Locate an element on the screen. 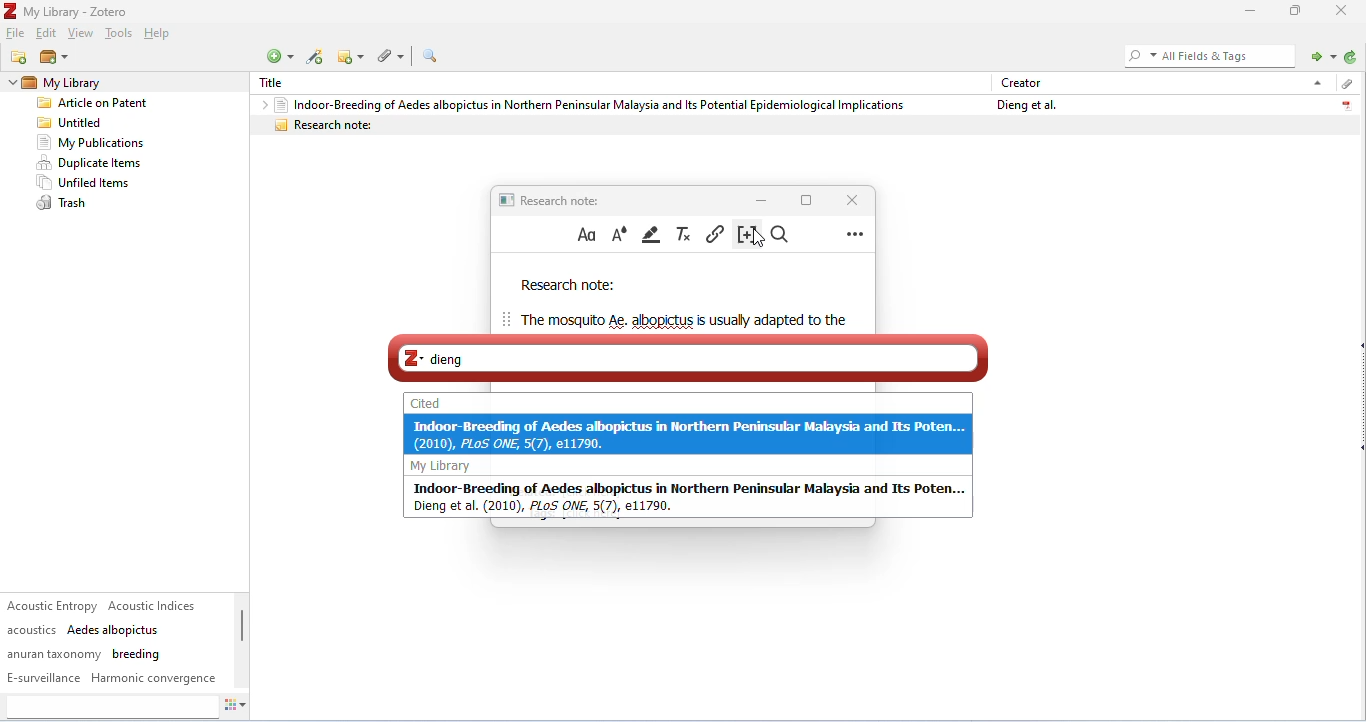  actions is located at coordinates (236, 708).